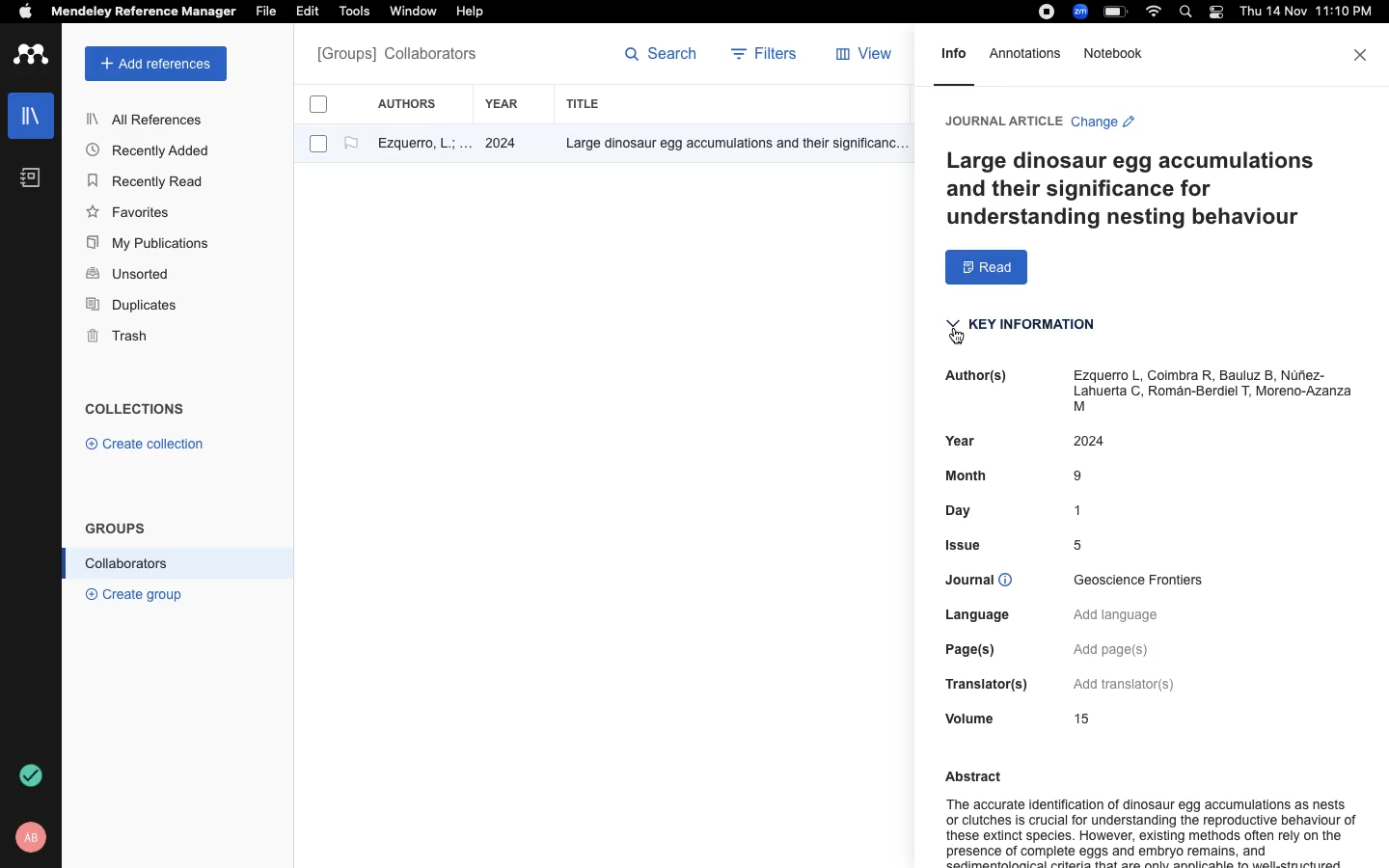  What do you see at coordinates (1081, 476) in the screenshot?
I see `9` at bounding box center [1081, 476].